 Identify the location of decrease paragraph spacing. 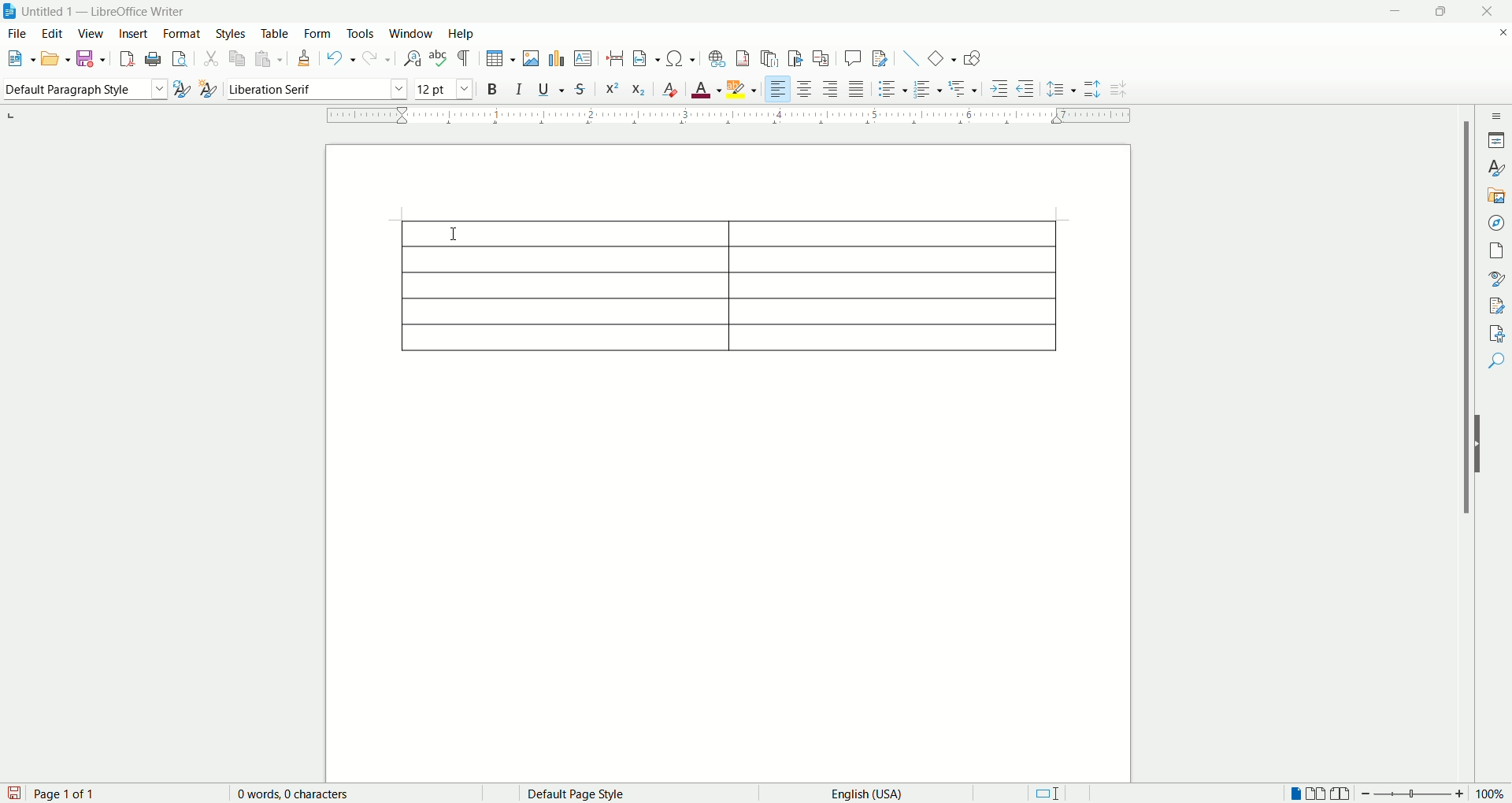
(1121, 90).